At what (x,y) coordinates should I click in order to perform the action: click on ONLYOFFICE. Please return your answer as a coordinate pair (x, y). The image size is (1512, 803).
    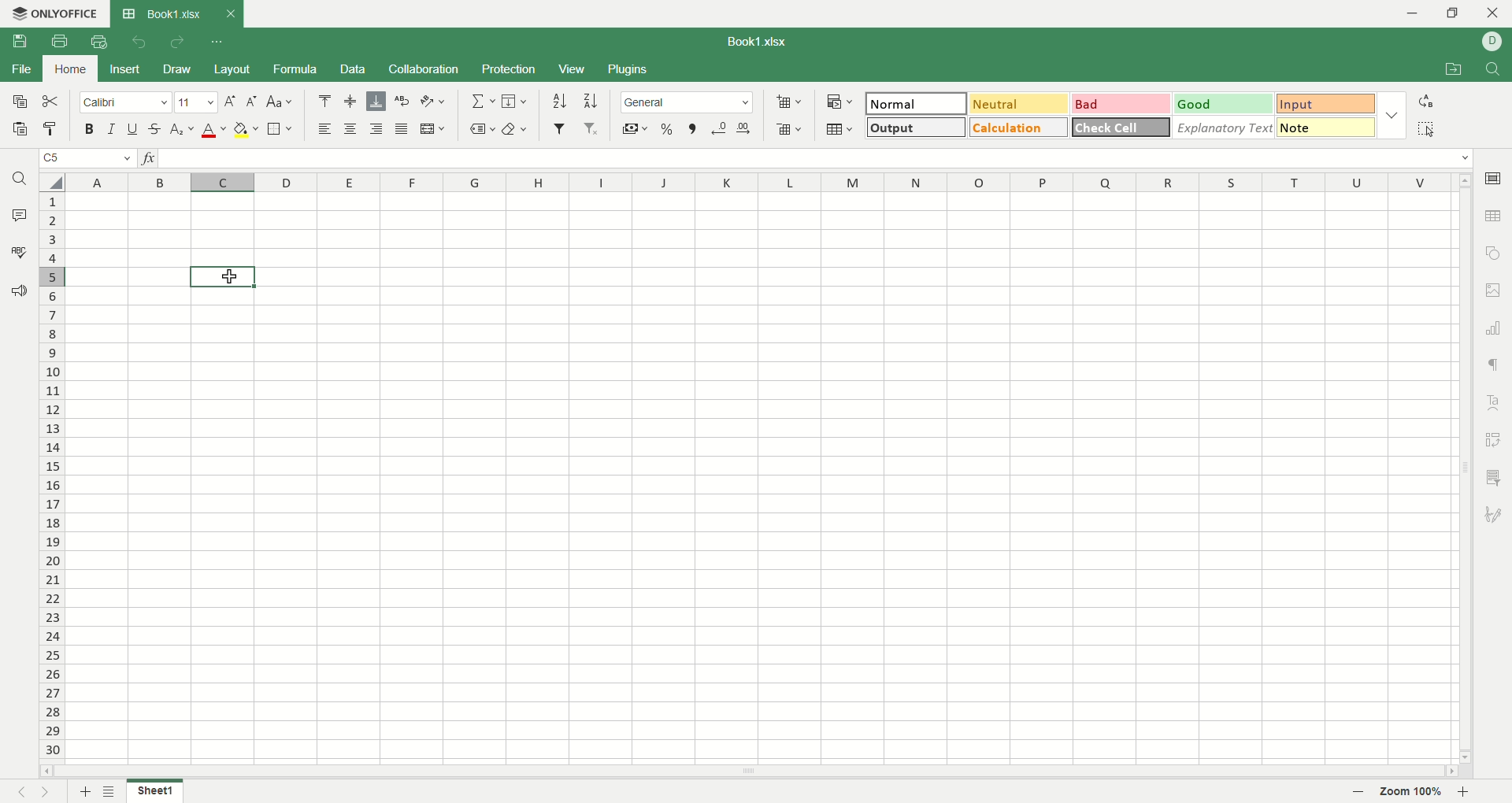
    Looking at the image, I should click on (53, 13).